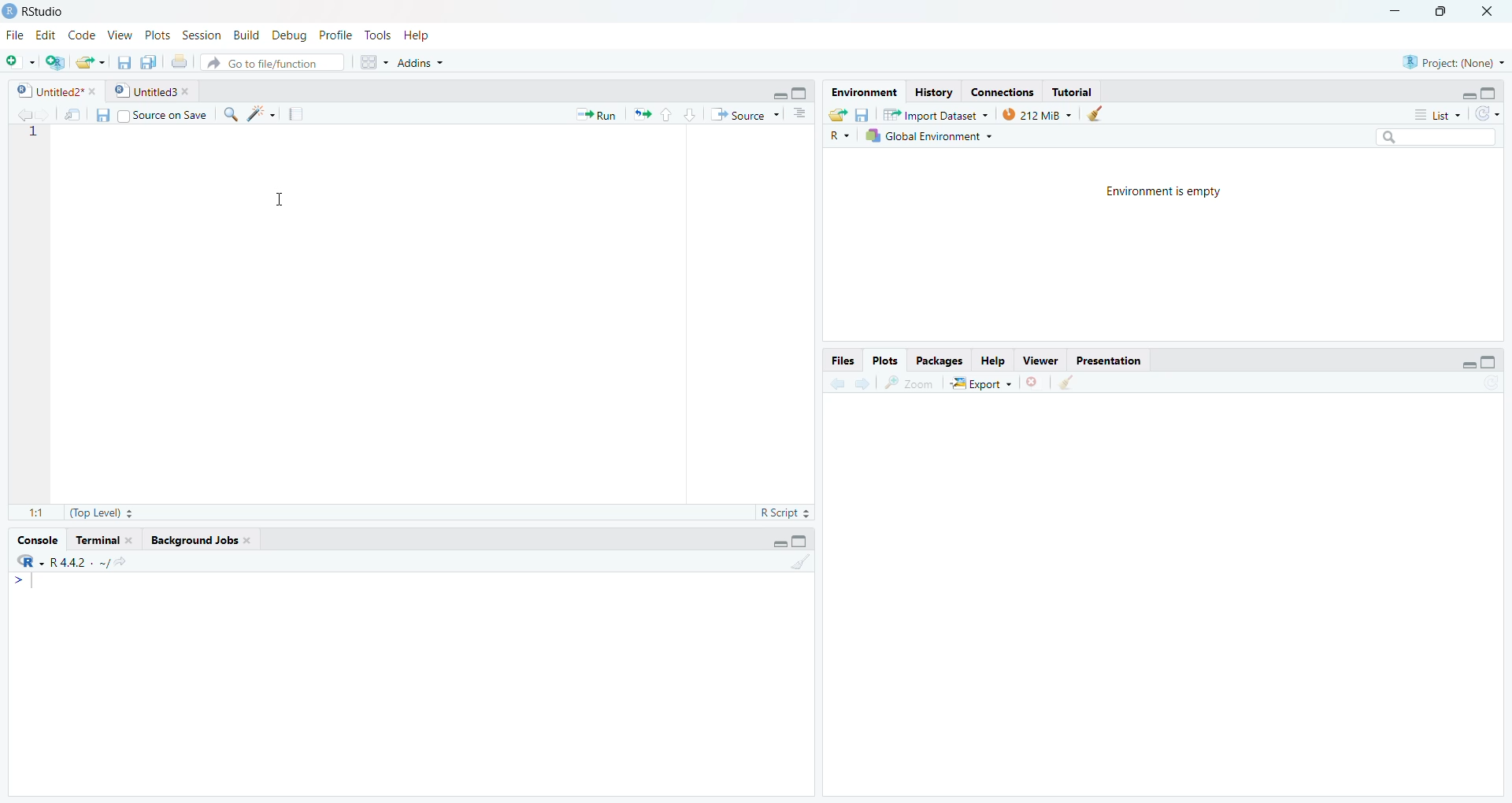  Describe the element at coordinates (936, 116) in the screenshot. I see `IMPORT DATASET` at that location.